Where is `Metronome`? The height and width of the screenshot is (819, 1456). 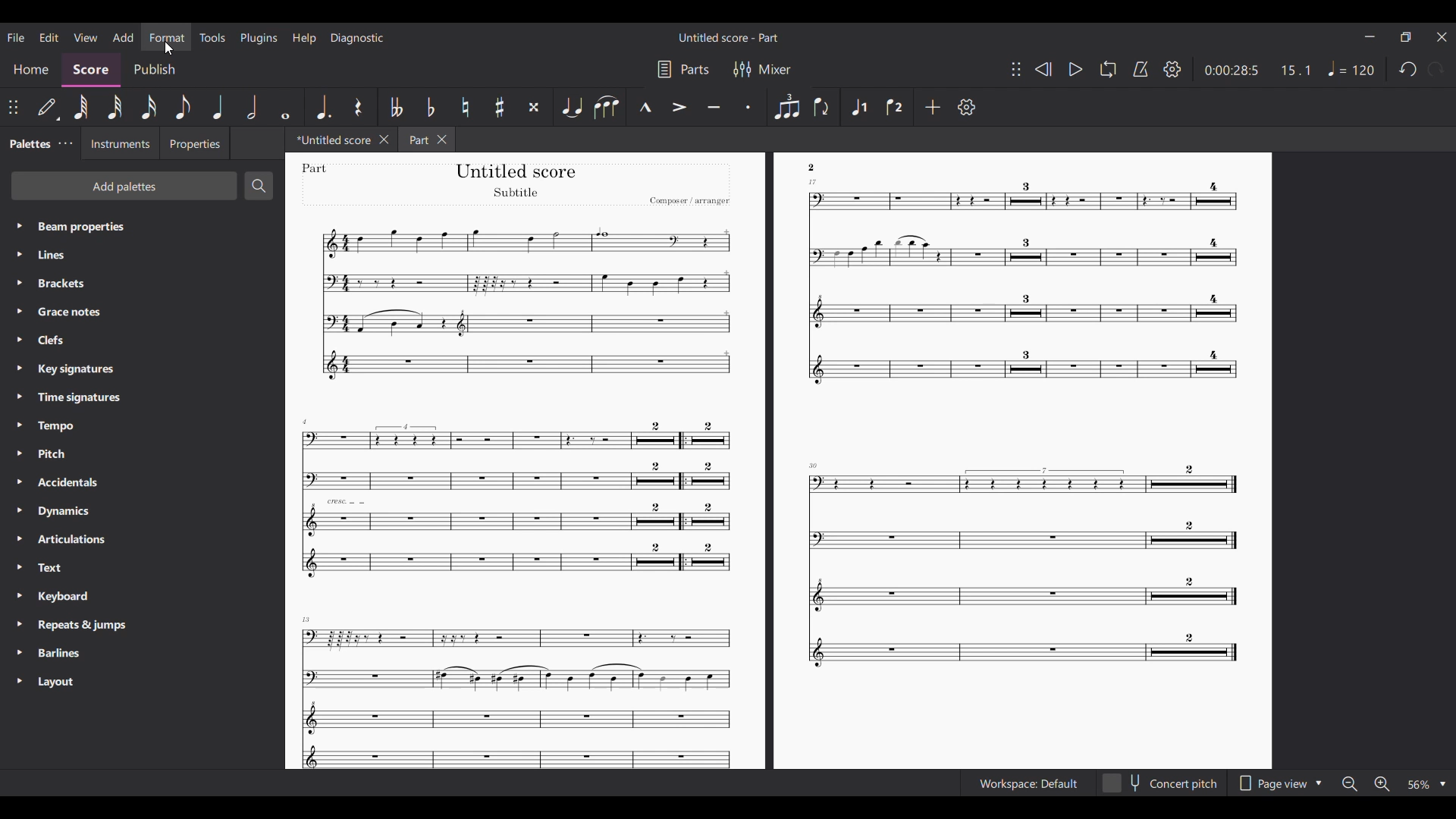
Metronome is located at coordinates (1141, 69).